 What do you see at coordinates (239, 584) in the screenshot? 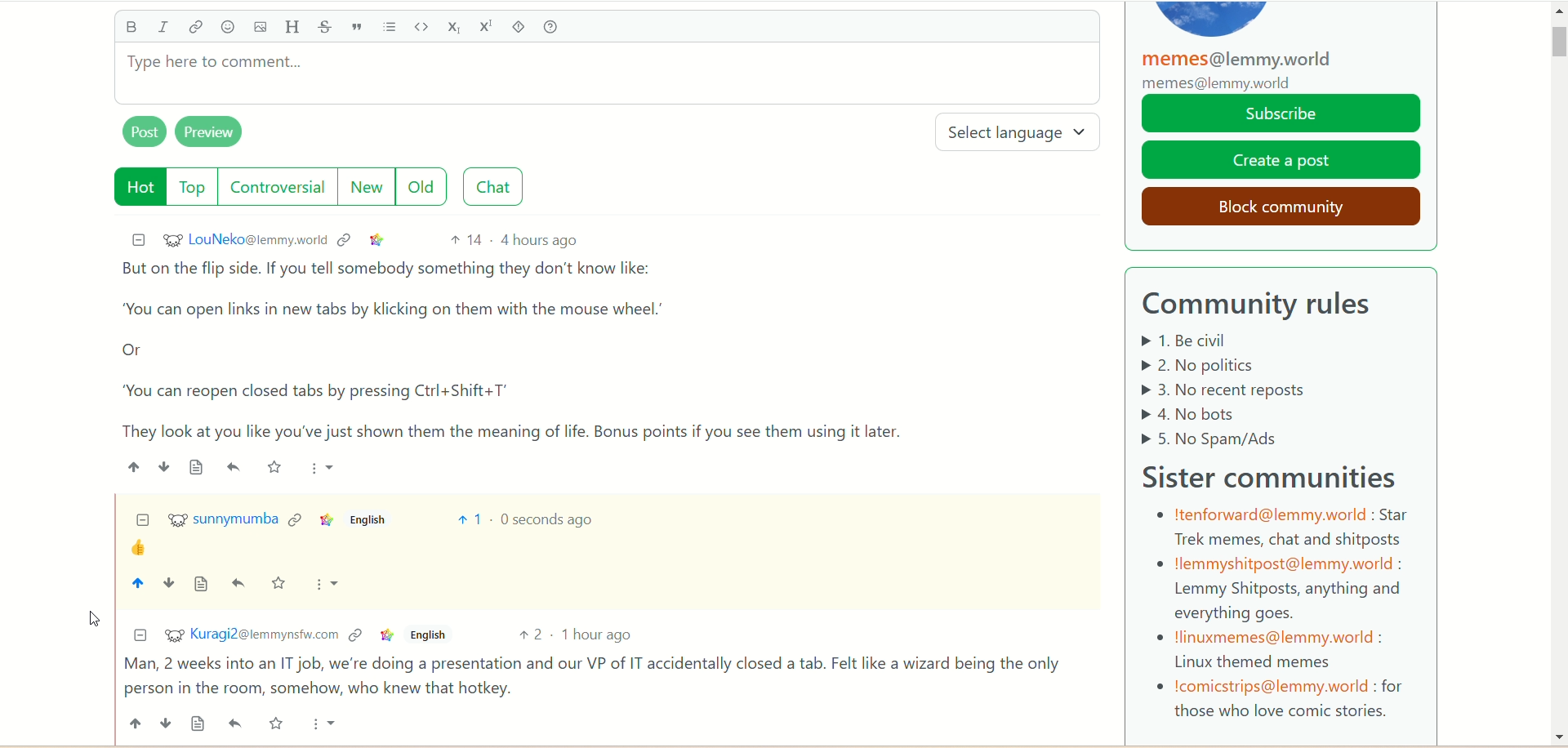
I see `reply` at bounding box center [239, 584].